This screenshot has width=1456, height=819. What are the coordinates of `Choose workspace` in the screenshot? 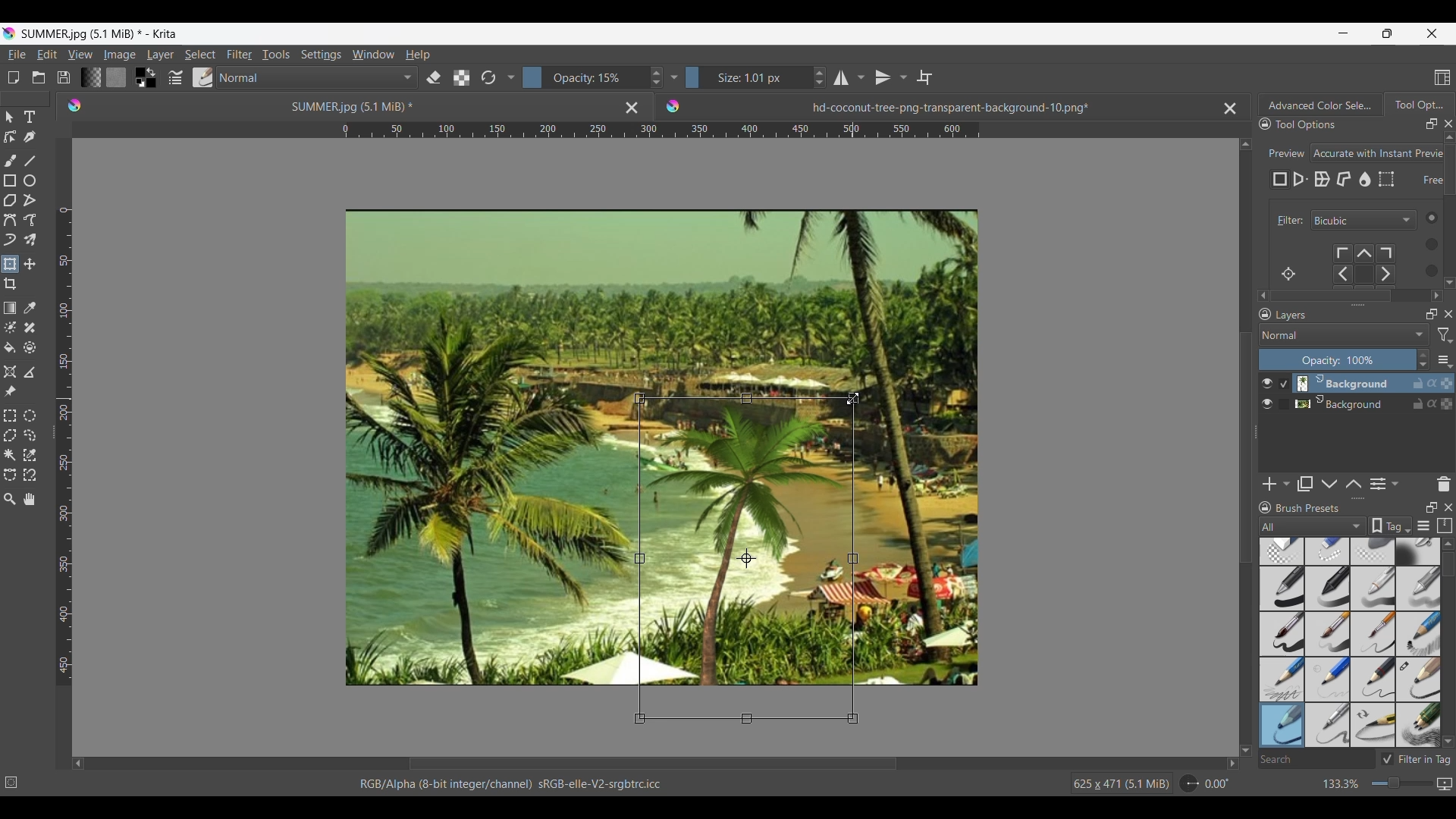 It's located at (1442, 77).